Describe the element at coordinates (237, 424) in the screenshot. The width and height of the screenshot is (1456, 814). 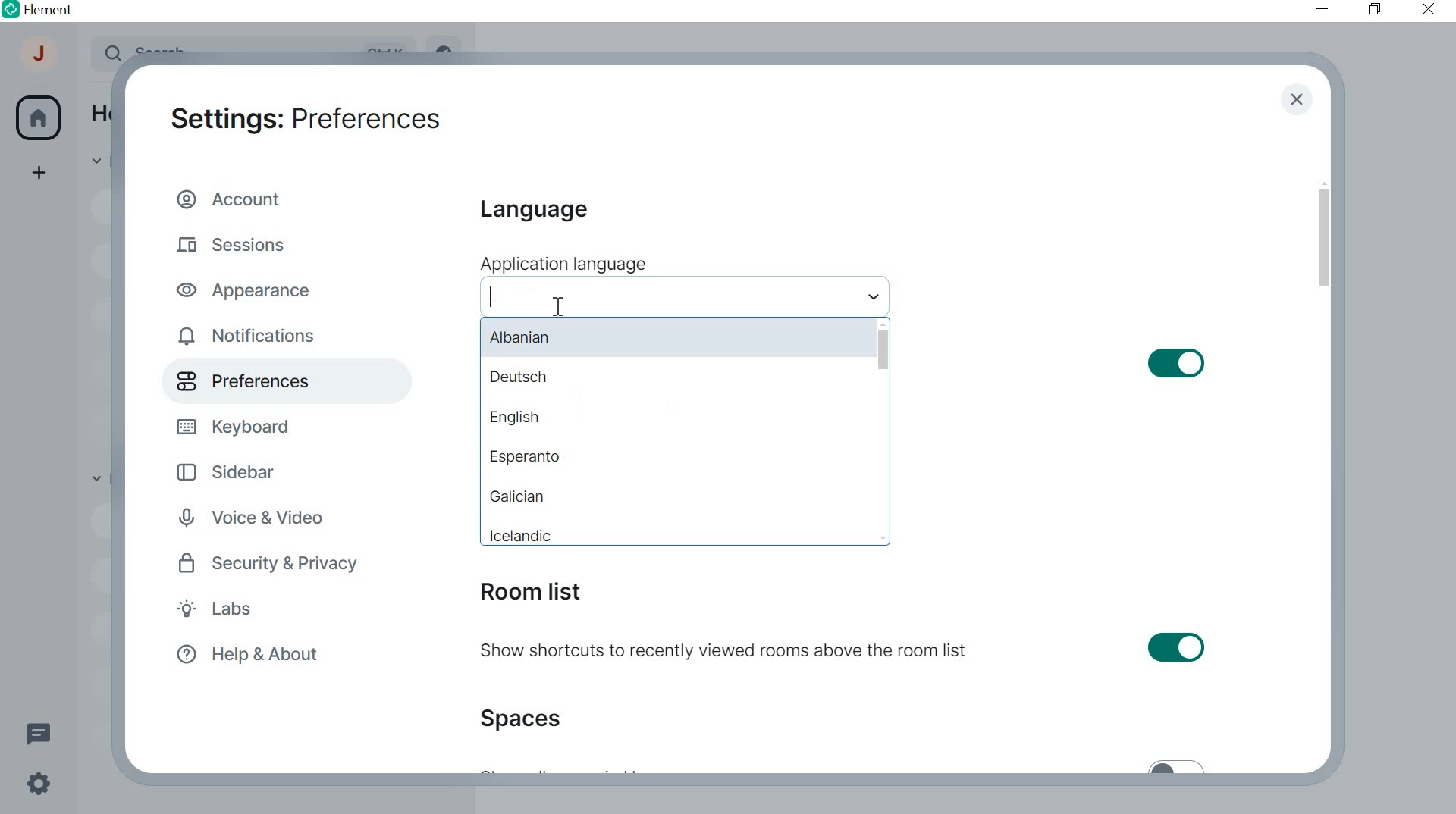
I see `KEYBOARD` at that location.